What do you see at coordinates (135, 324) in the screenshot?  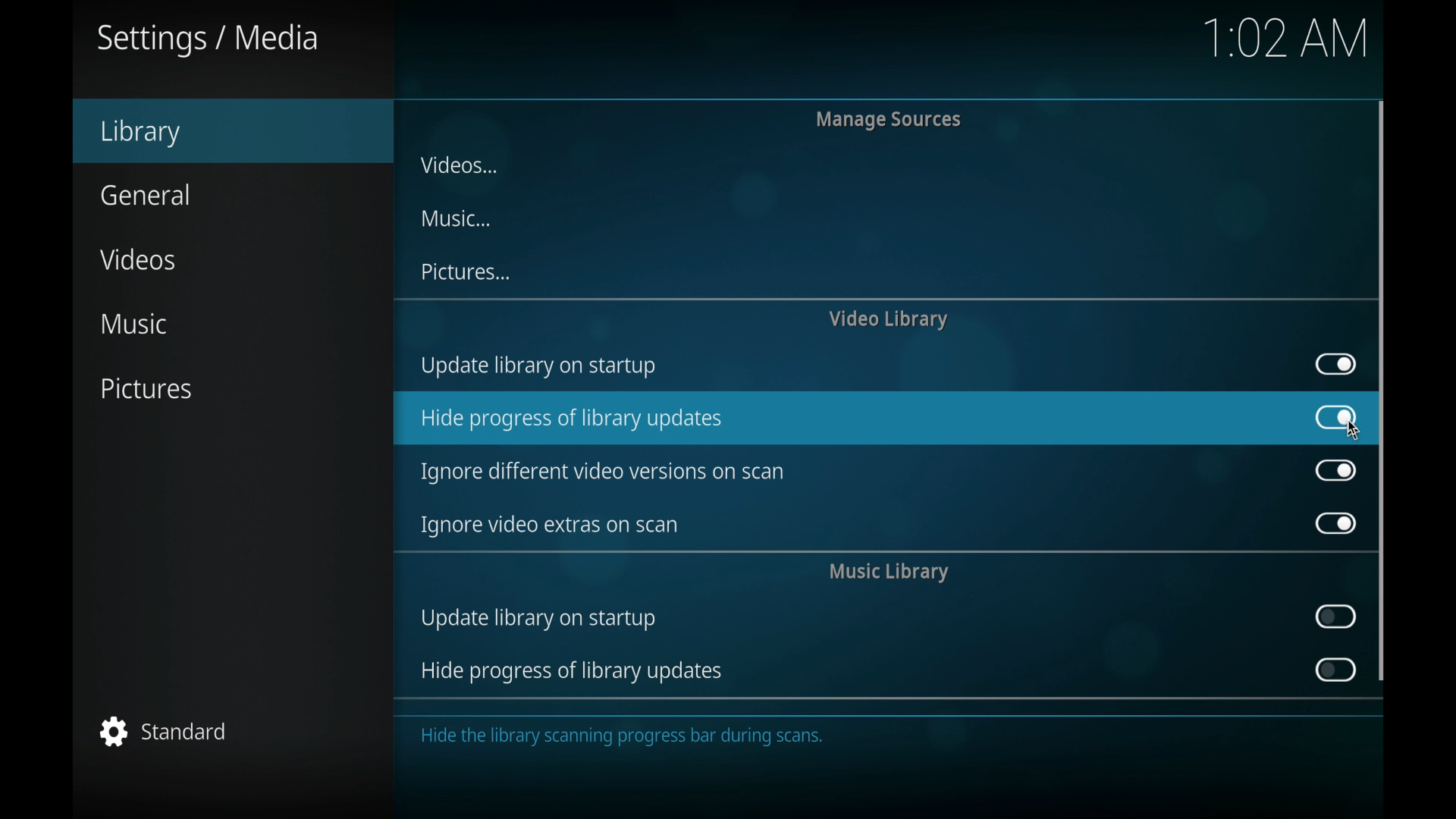 I see `music` at bounding box center [135, 324].